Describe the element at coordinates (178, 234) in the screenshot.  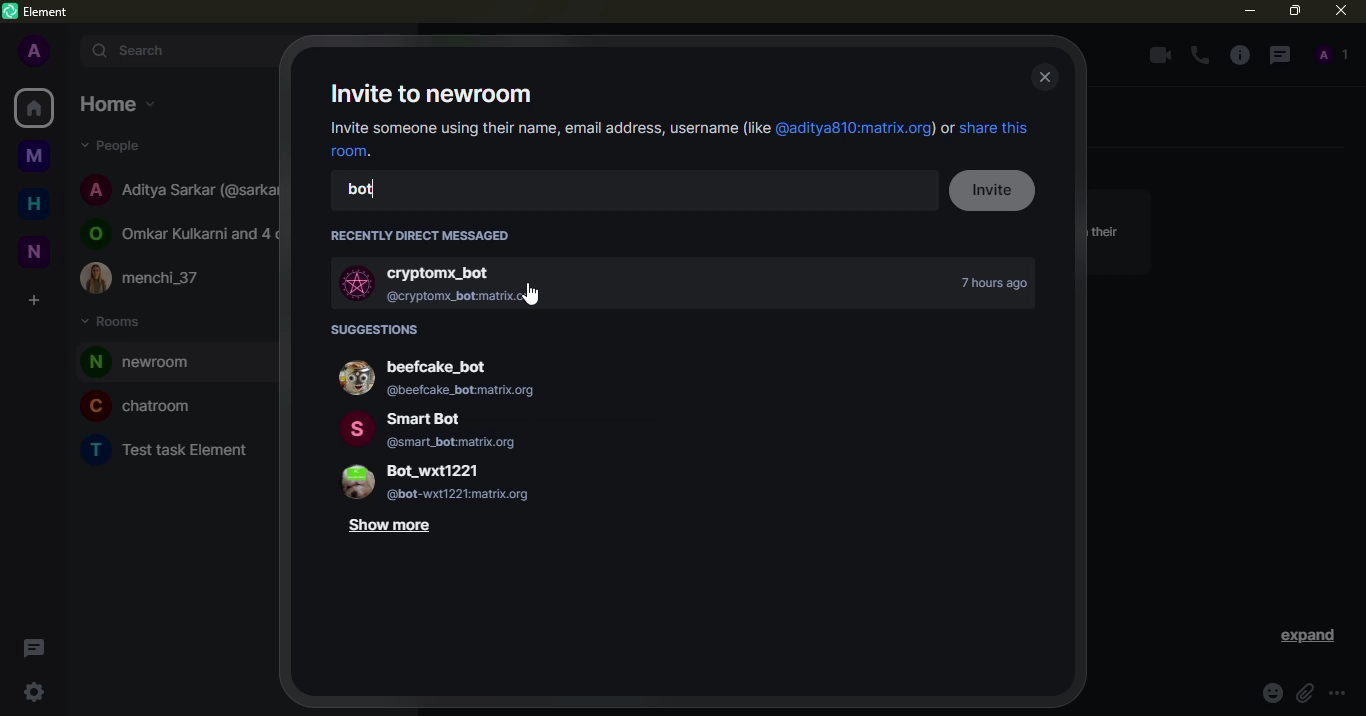
I see `Omkar Kulkarni and 4 others` at that location.